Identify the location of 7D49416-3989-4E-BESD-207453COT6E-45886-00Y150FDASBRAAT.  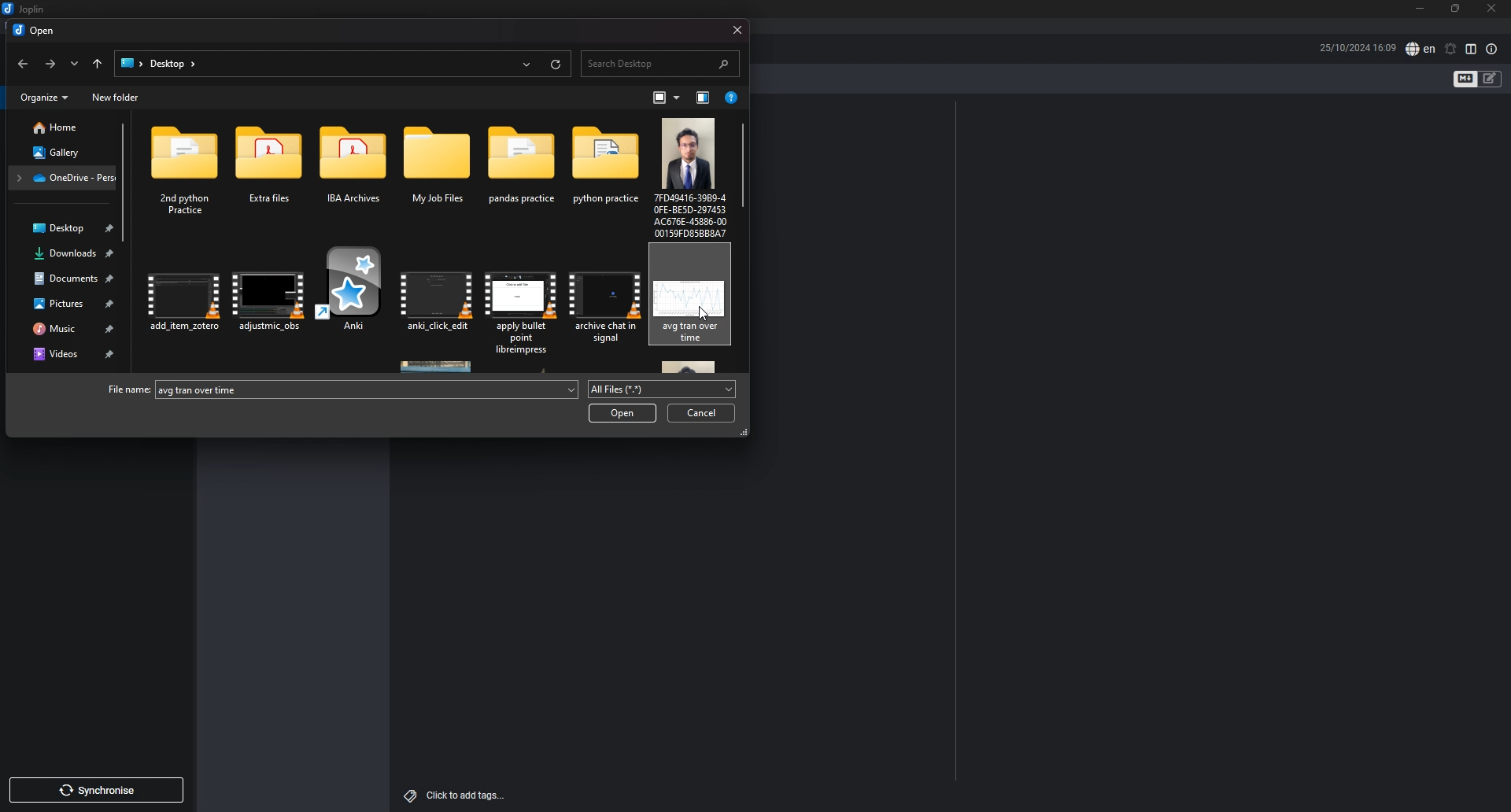
(690, 175).